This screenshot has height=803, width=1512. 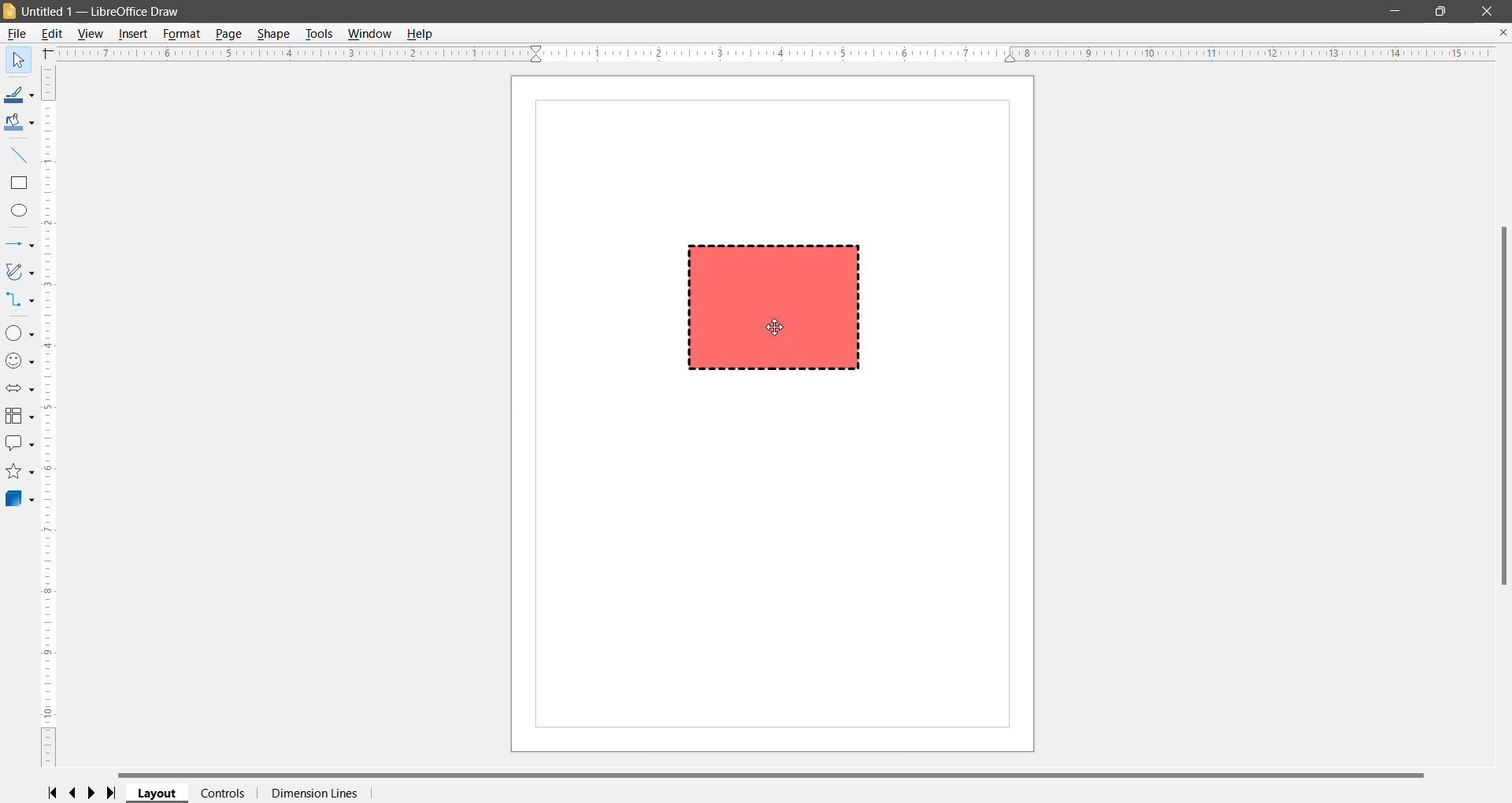 What do you see at coordinates (20, 333) in the screenshot?
I see `Basic Shapes` at bounding box center [20, 333].